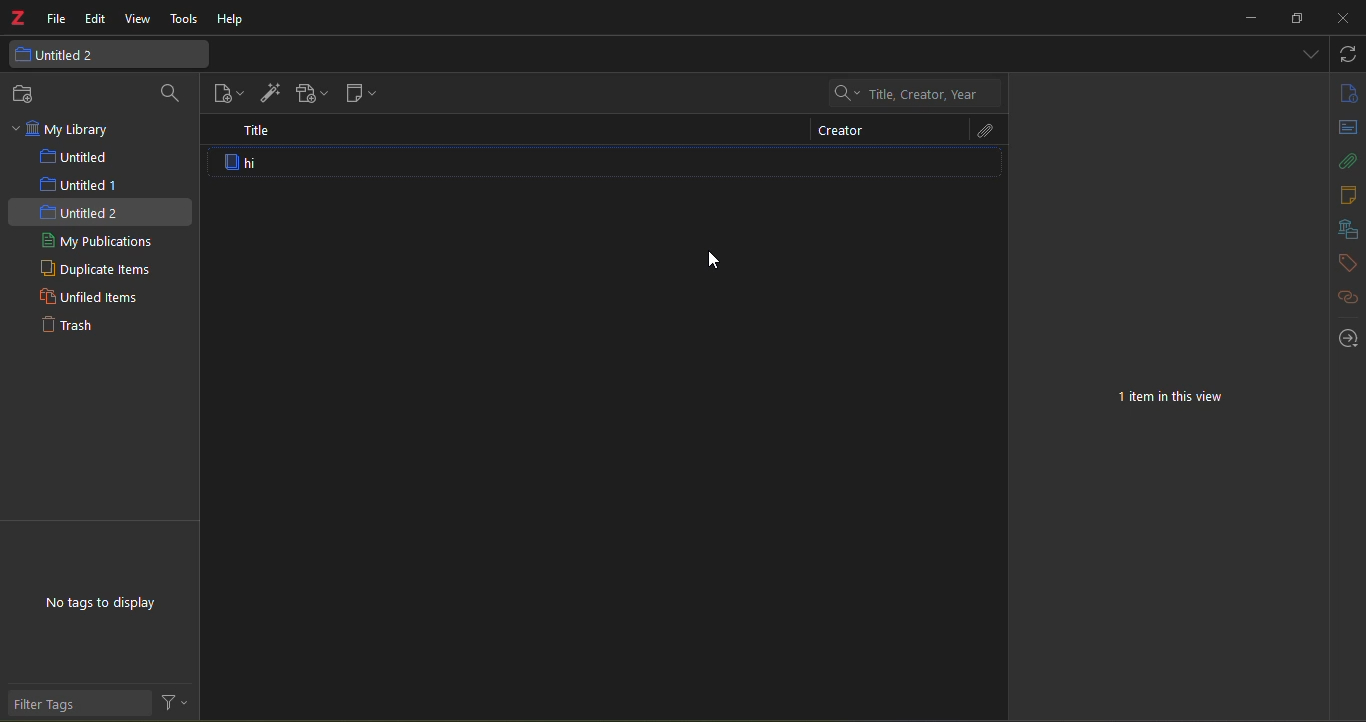 The image size is (1366, 722). What do you see at coordinates (1297, 19) in the screenshot?
I see `resize` at bounding box center [1297, 19].